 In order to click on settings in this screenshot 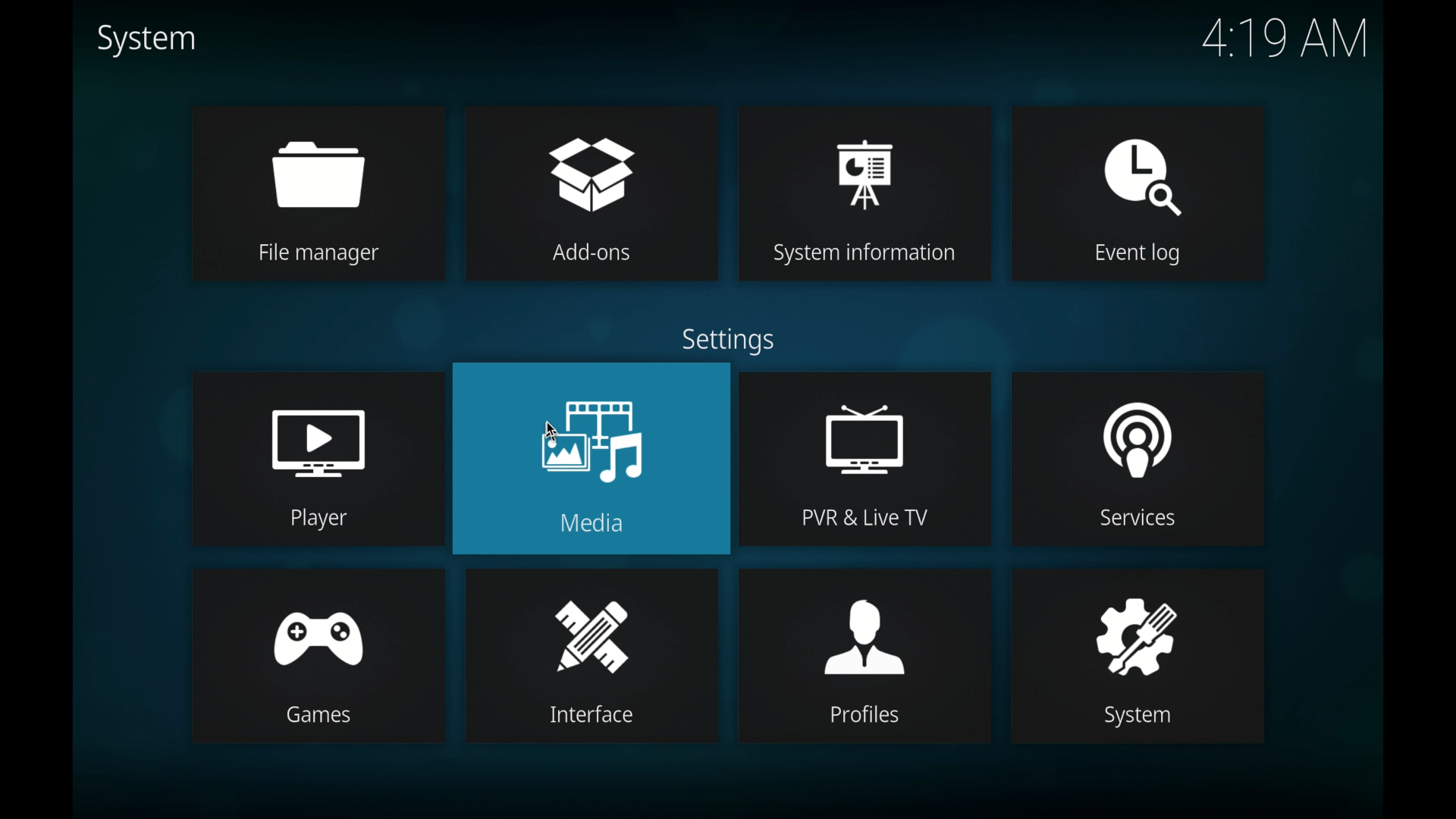, I will do `click(729, 340)`.